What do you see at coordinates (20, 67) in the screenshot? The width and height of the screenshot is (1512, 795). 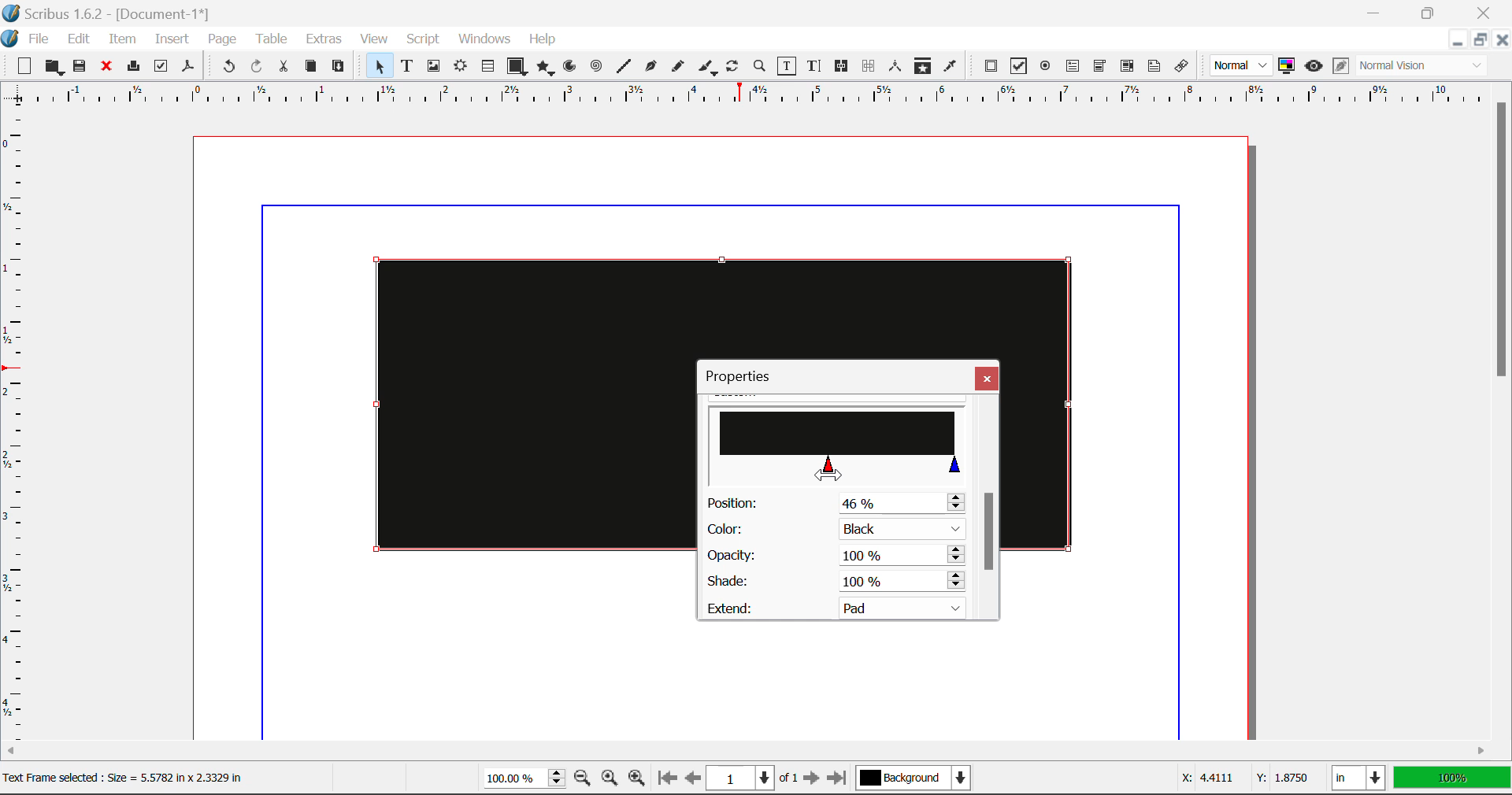 I see `New` at bounding box center [20, 67].